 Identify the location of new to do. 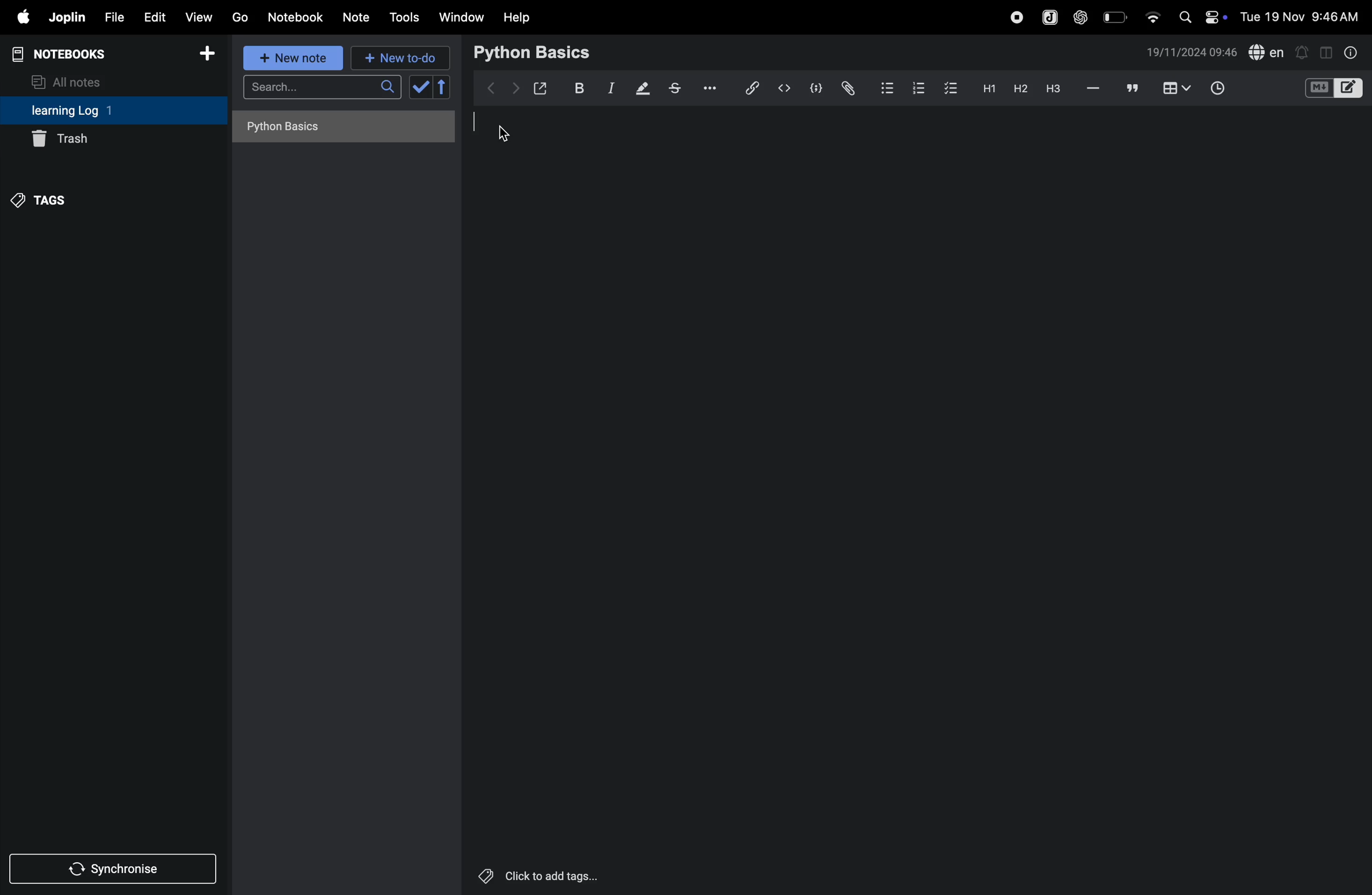
(395, 55).